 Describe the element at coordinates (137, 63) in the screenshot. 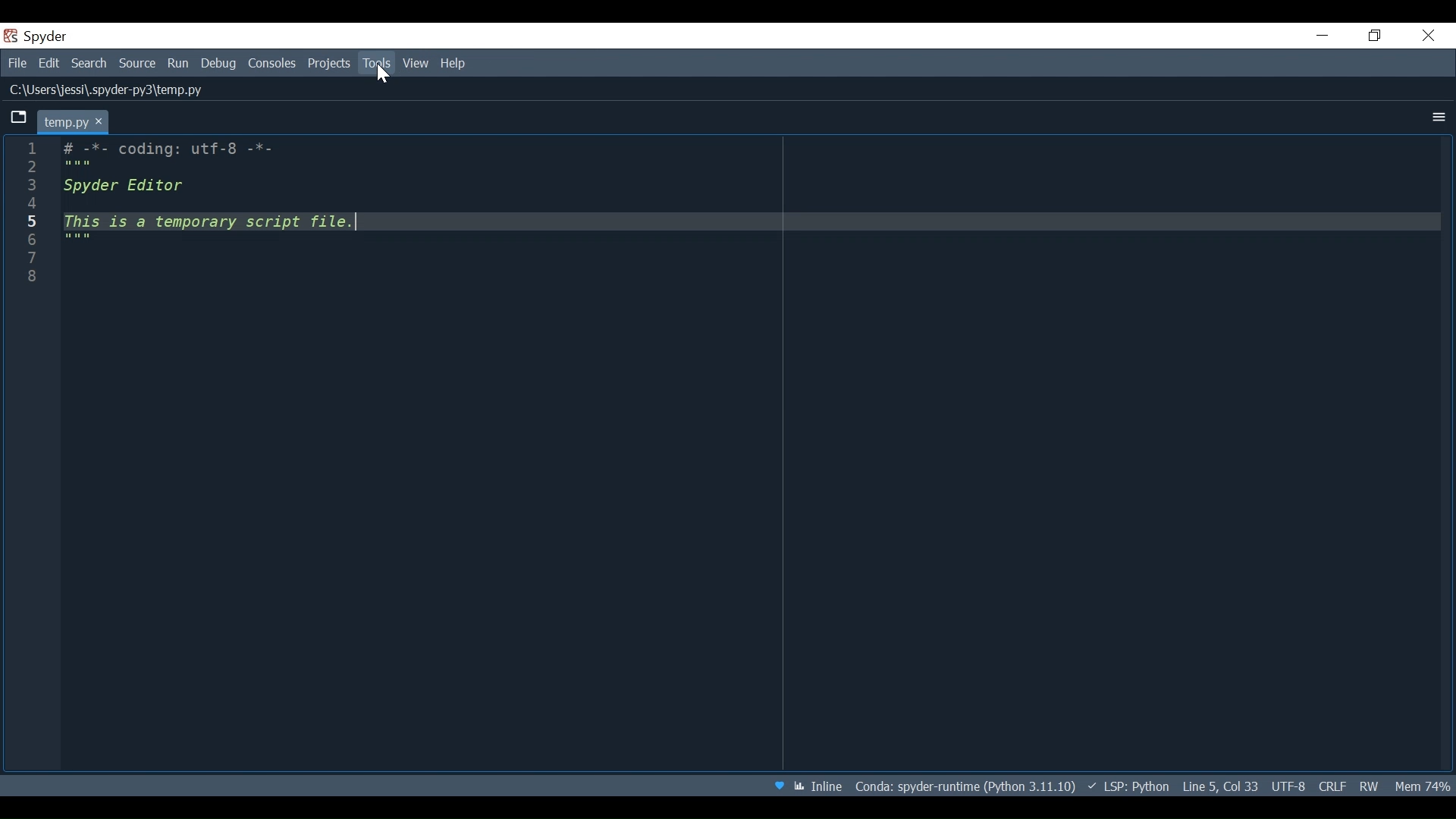

I see `Source` at that location.